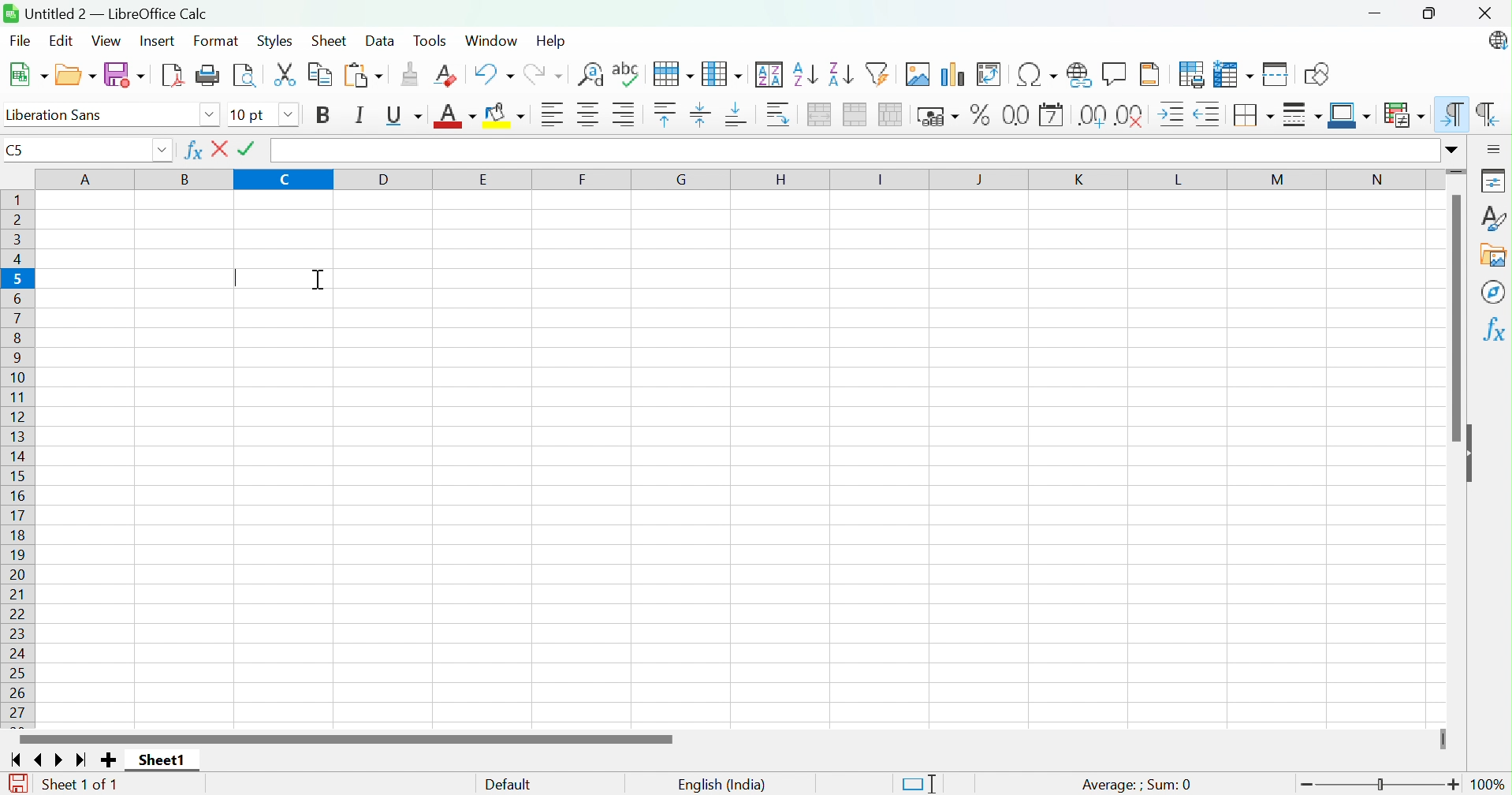 The height and width of the screenshot is (795, 1512). I want to click on Insert hyperlink, so click(1078, 73).